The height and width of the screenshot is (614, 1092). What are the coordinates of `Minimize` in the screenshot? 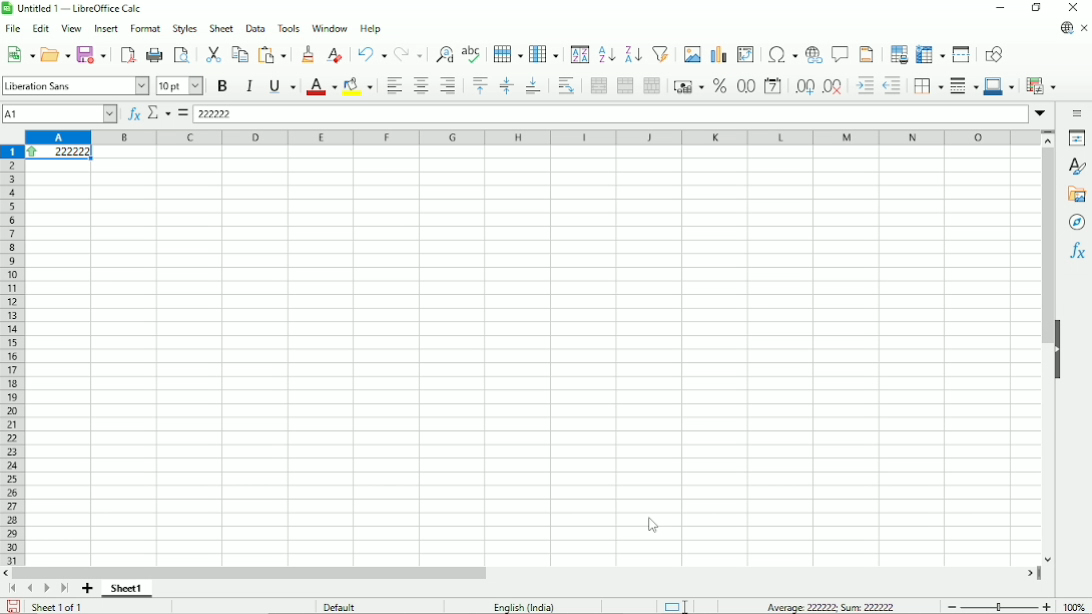 It's located at (1000, 10).